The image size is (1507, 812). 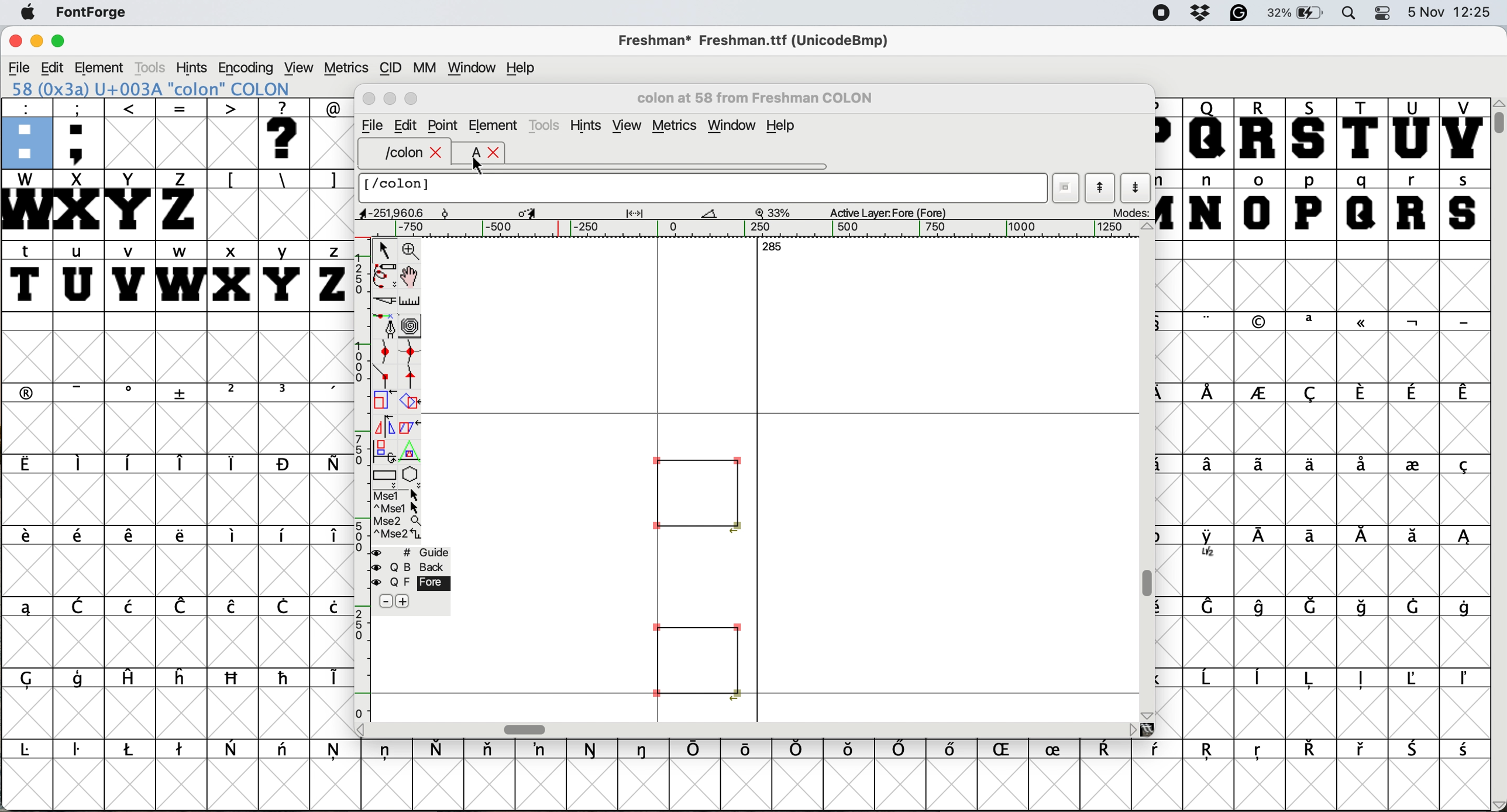 What do you see at coordinates (696, 750) in the screenshot?
I see `symbol` at bounding box center [696, 750].